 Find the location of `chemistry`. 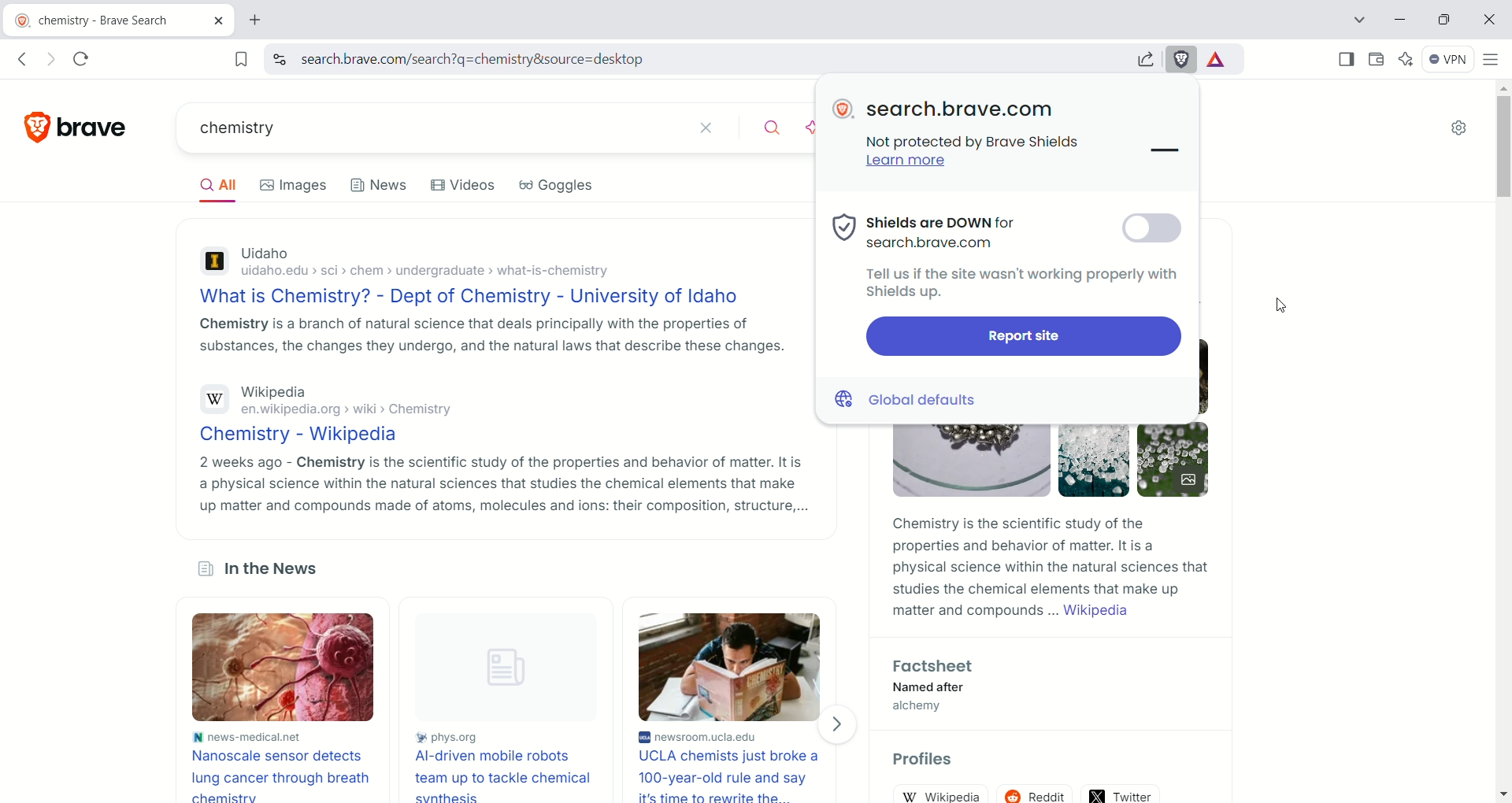

chemistry is located at coordinates (432, 126).